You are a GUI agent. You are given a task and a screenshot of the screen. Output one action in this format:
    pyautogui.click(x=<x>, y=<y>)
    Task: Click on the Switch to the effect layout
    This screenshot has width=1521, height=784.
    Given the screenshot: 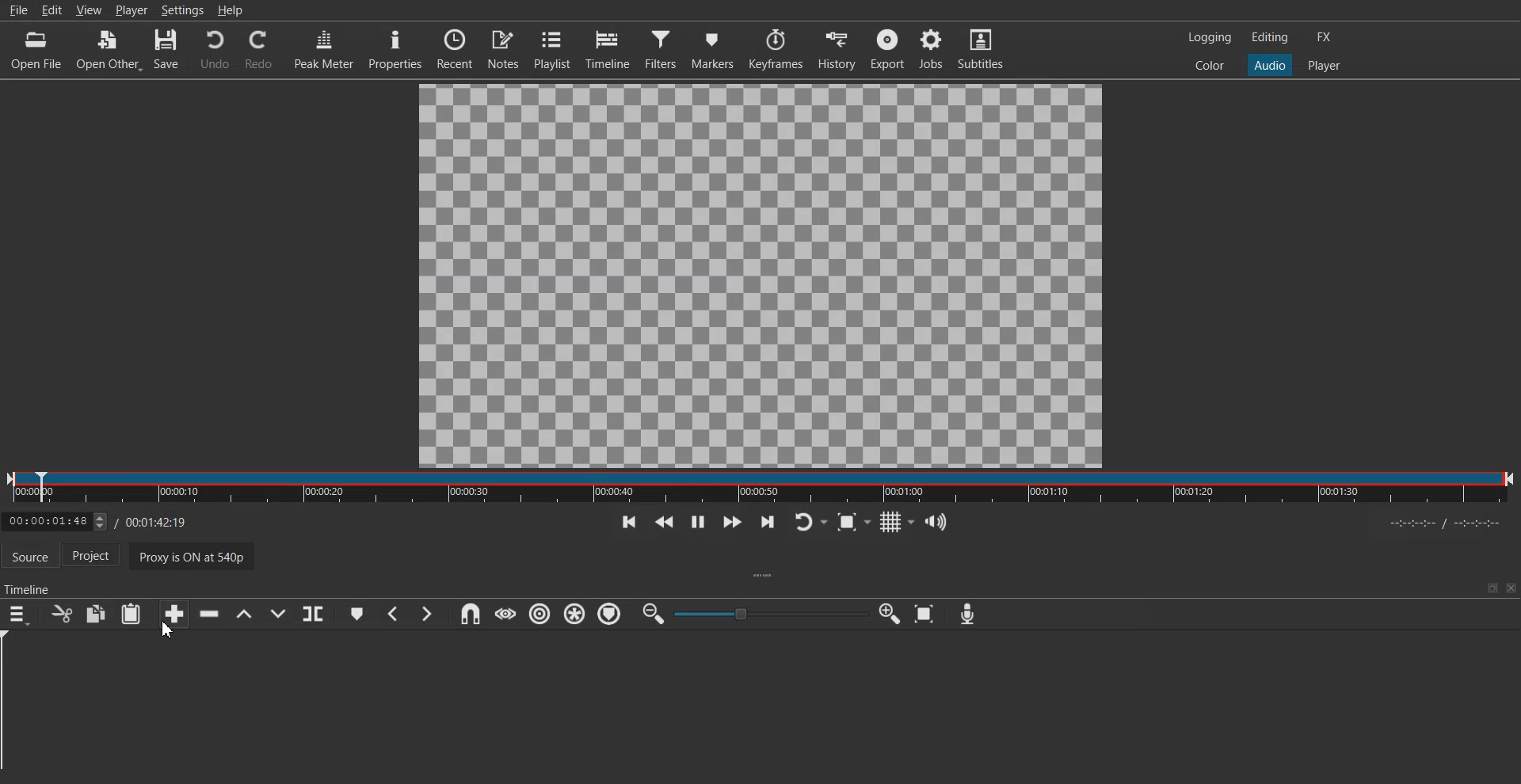 What is the action you would take?
    pyautogui.click(x=1328, y=37)
    